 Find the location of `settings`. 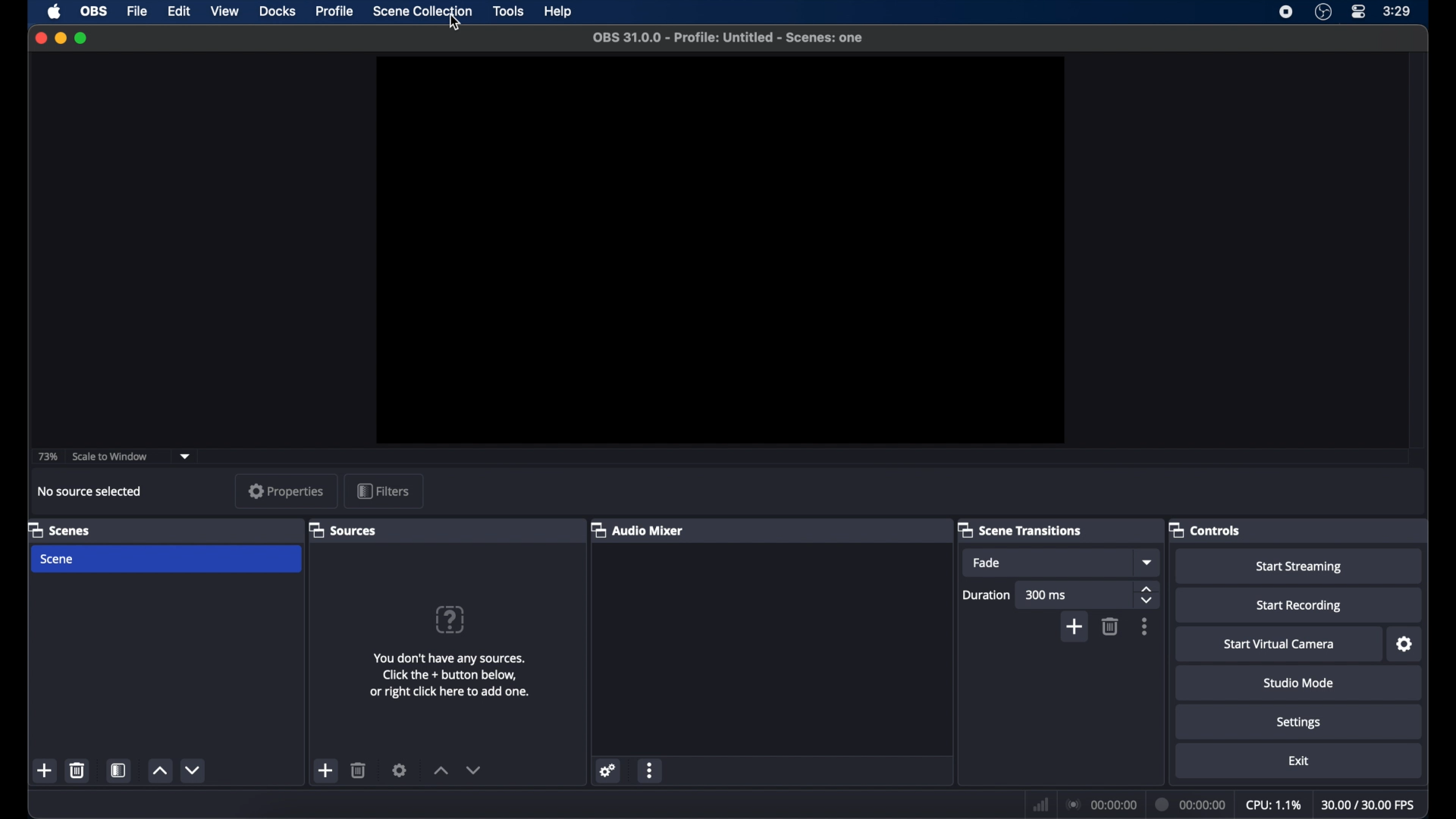

settings is located at coordinates (400, 770).